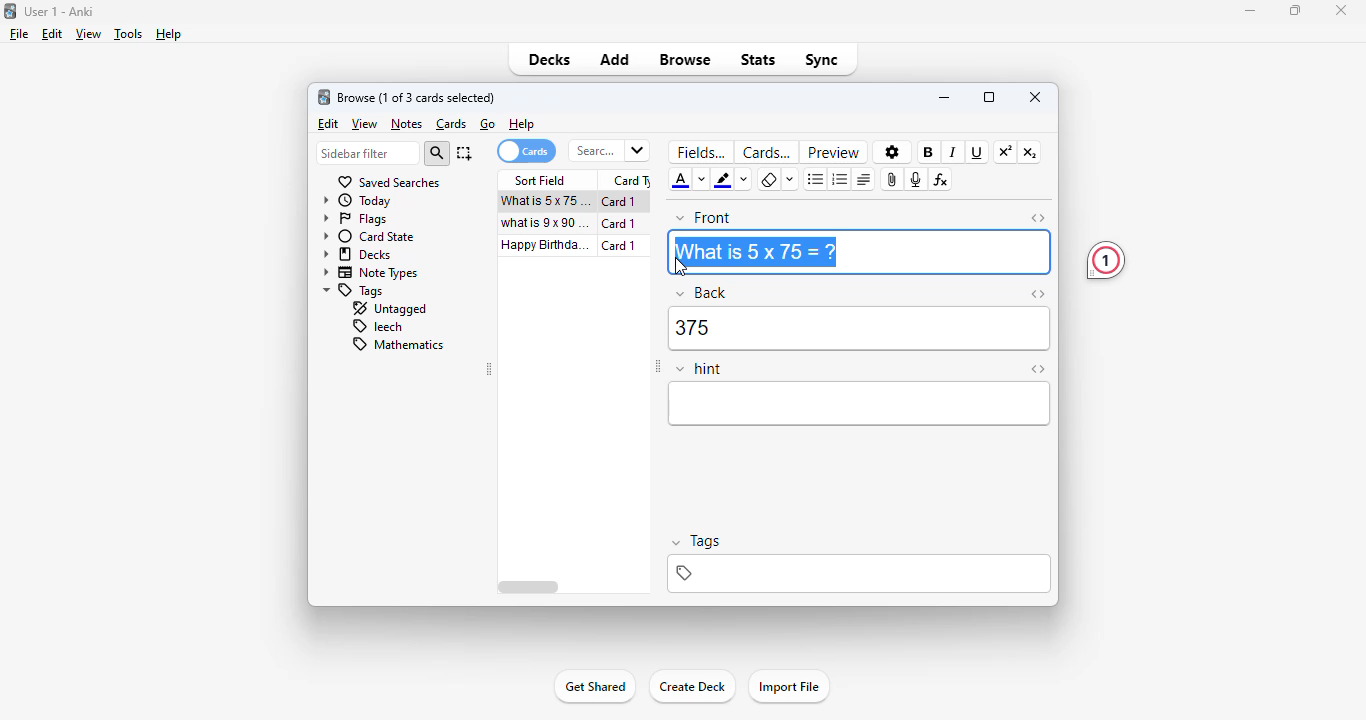 The width and height of the screenshot is (1366, 720). I want to click on happy birthday song!!!.mp3, so click(544, 245).